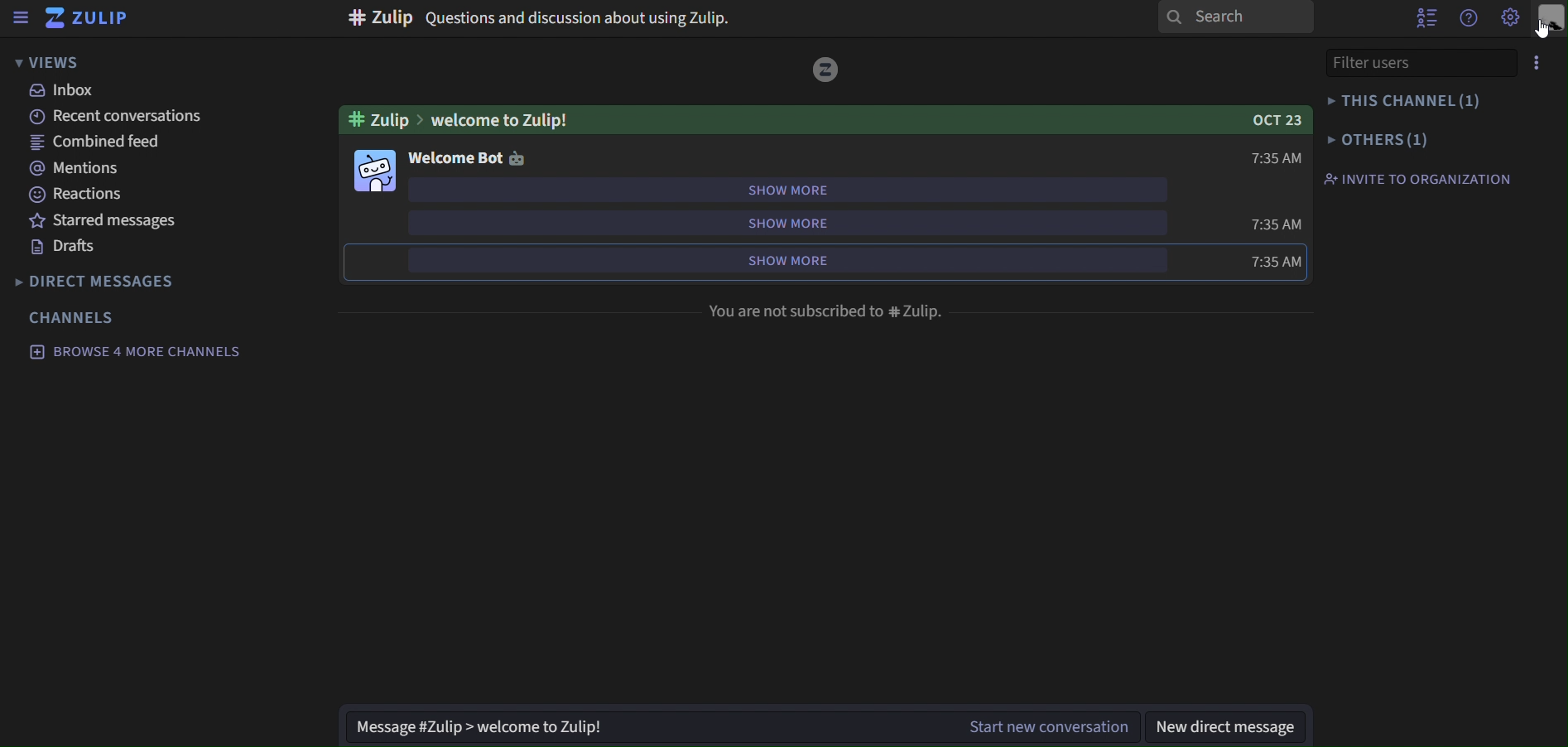 This screenshot has width=1568, height=747. Describe the element at coordinates (1263, 122) in the screenshot. I see `OCt 23` at that location.